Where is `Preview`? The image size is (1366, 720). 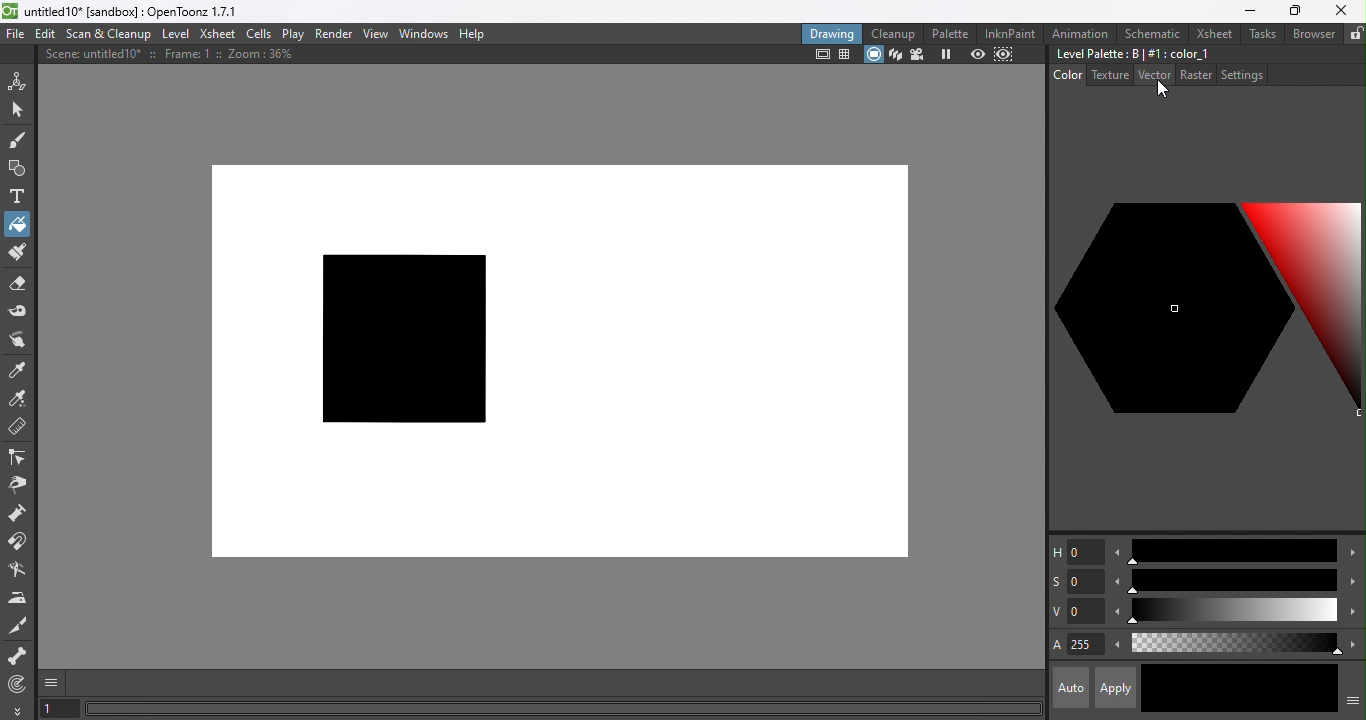
Preview is located at coordinates (978, 54).